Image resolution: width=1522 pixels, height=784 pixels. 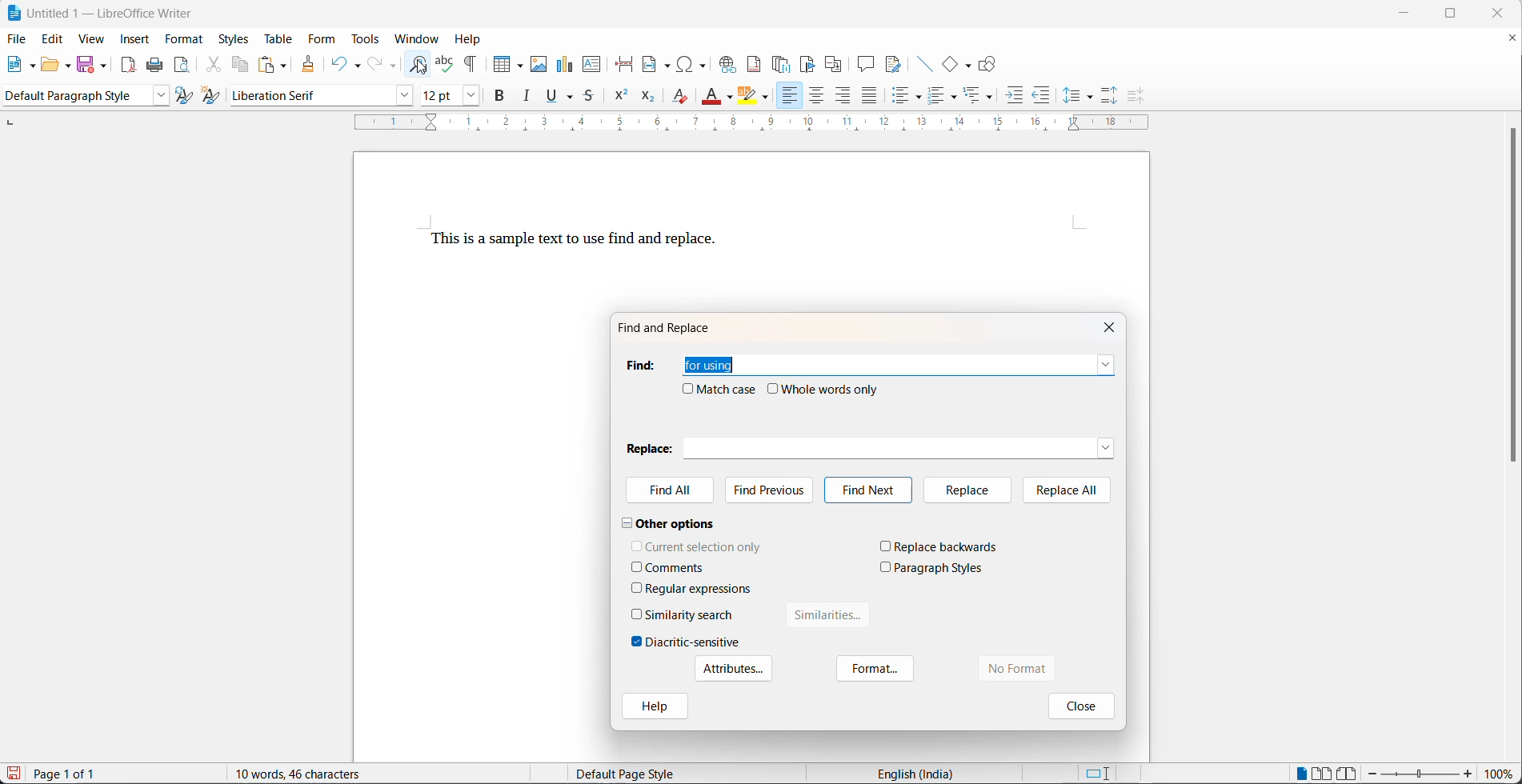 What do you see at coordinates (1133, 96) in the screenshot?
I see `decrease paragraph spacing` at bounding box center [1133, 96].